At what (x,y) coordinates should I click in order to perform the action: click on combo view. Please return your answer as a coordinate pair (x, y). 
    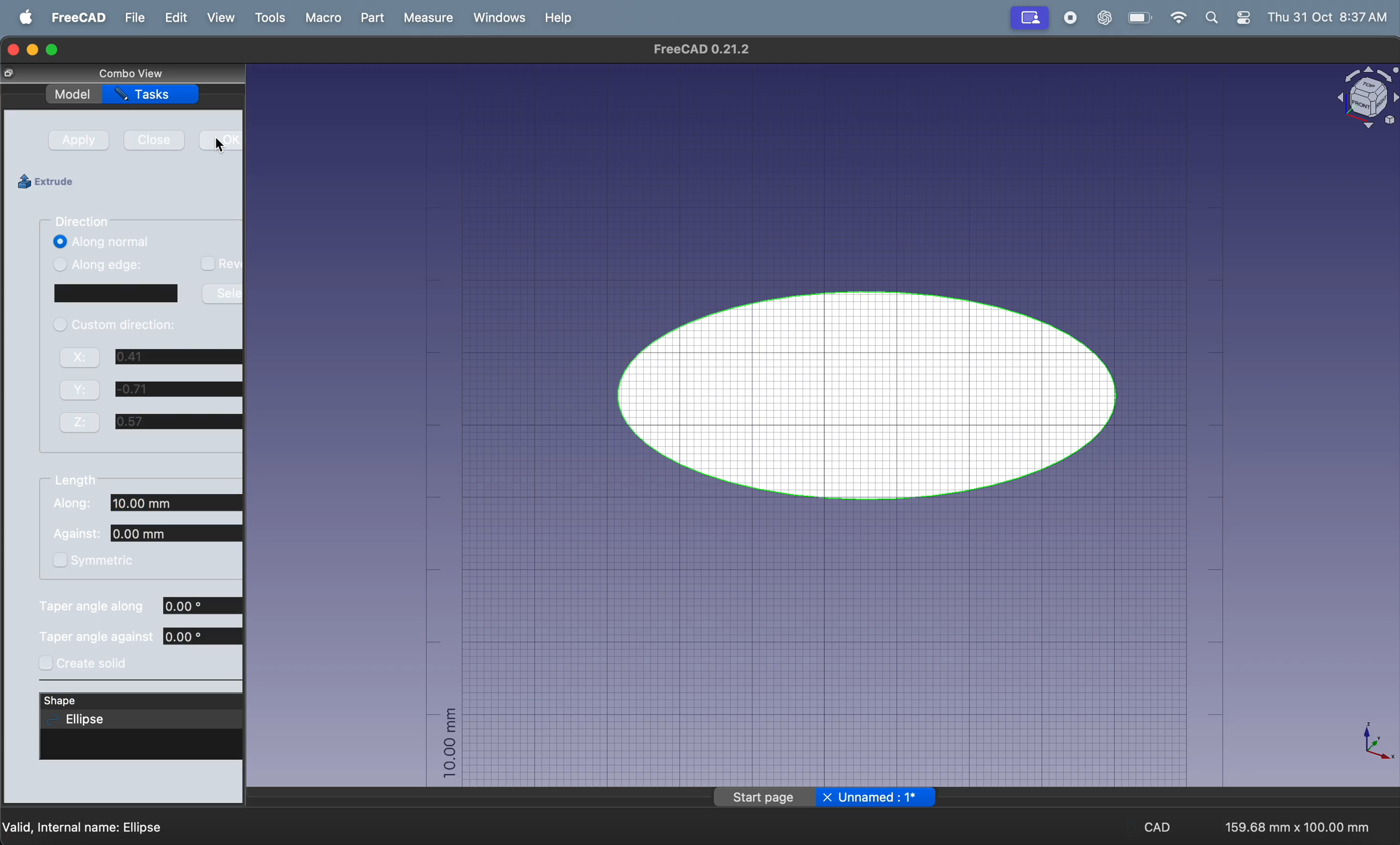
    Looking at the image, I should click on (152, 74).